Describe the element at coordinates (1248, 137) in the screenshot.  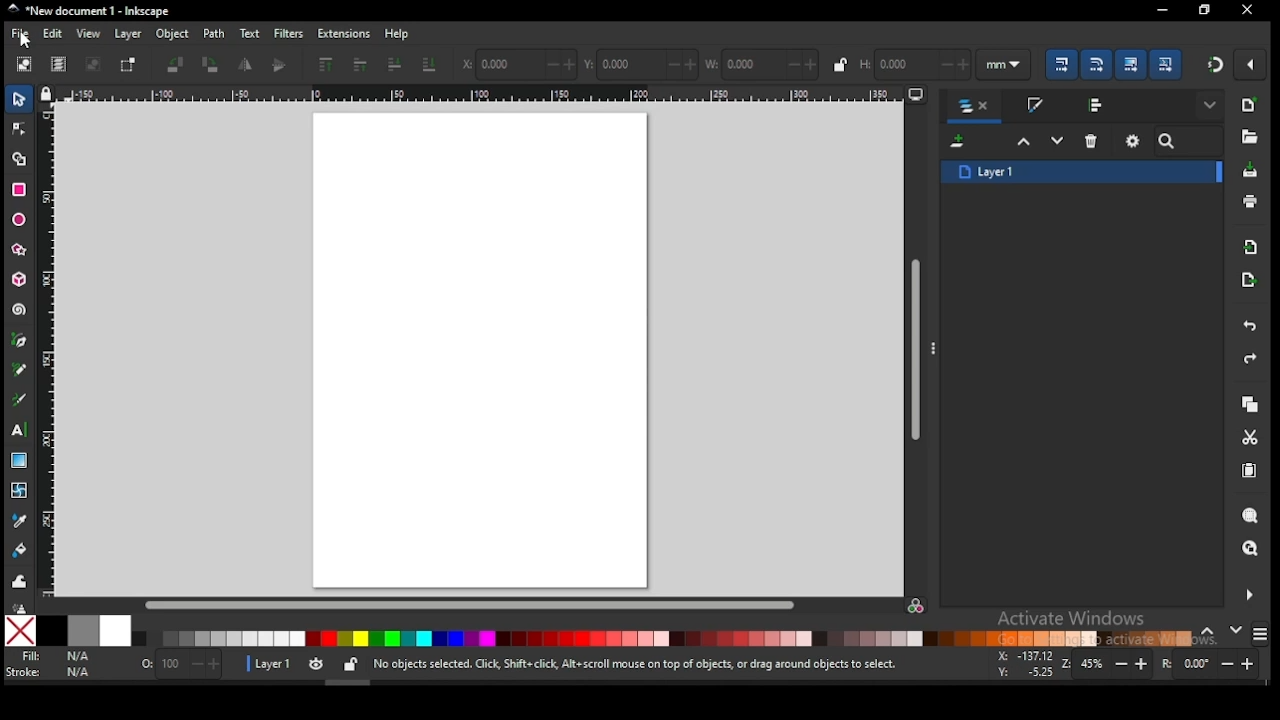
I see `open` at that location.